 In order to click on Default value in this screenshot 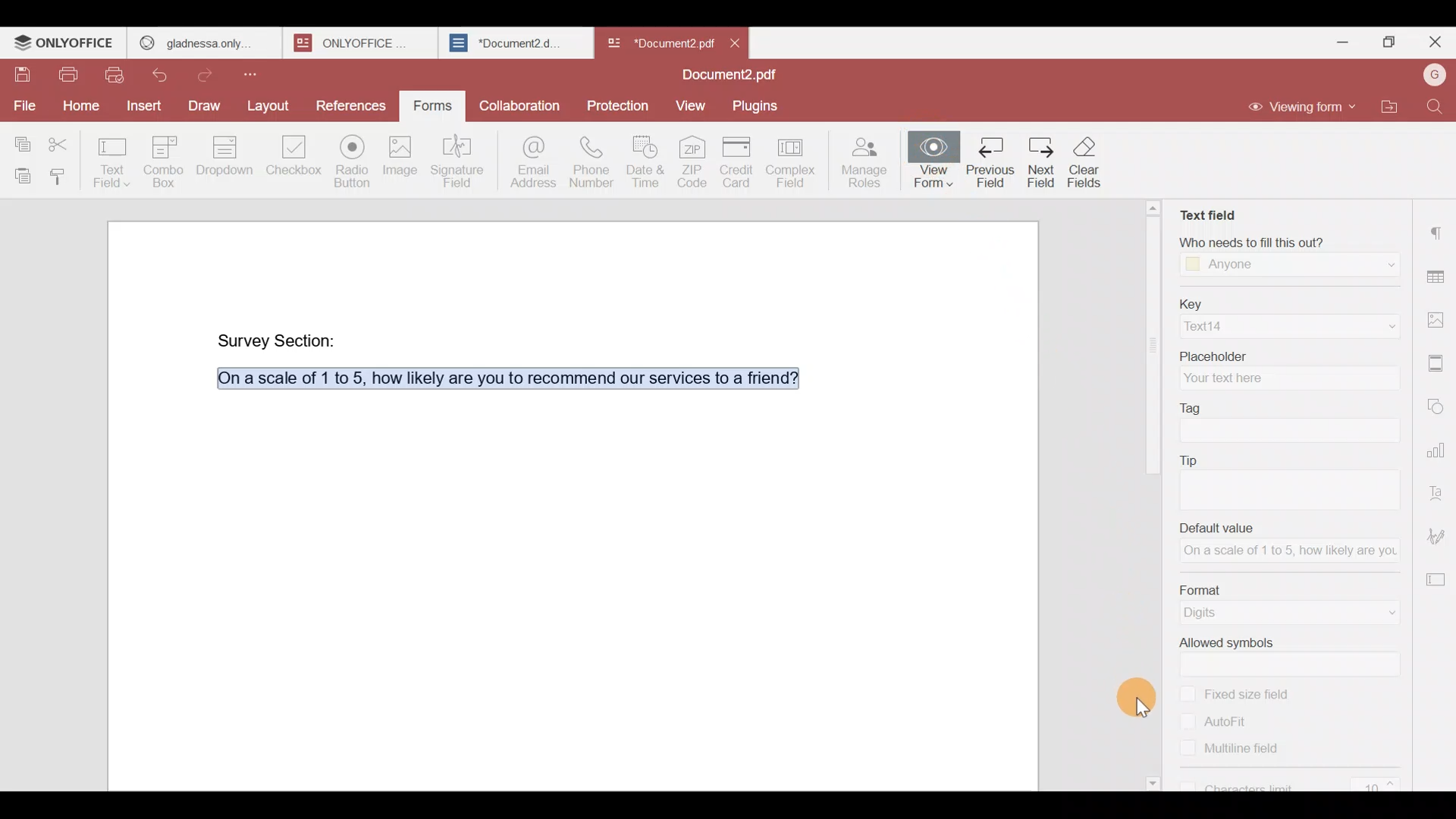, I will do `click(1292, 527)`.